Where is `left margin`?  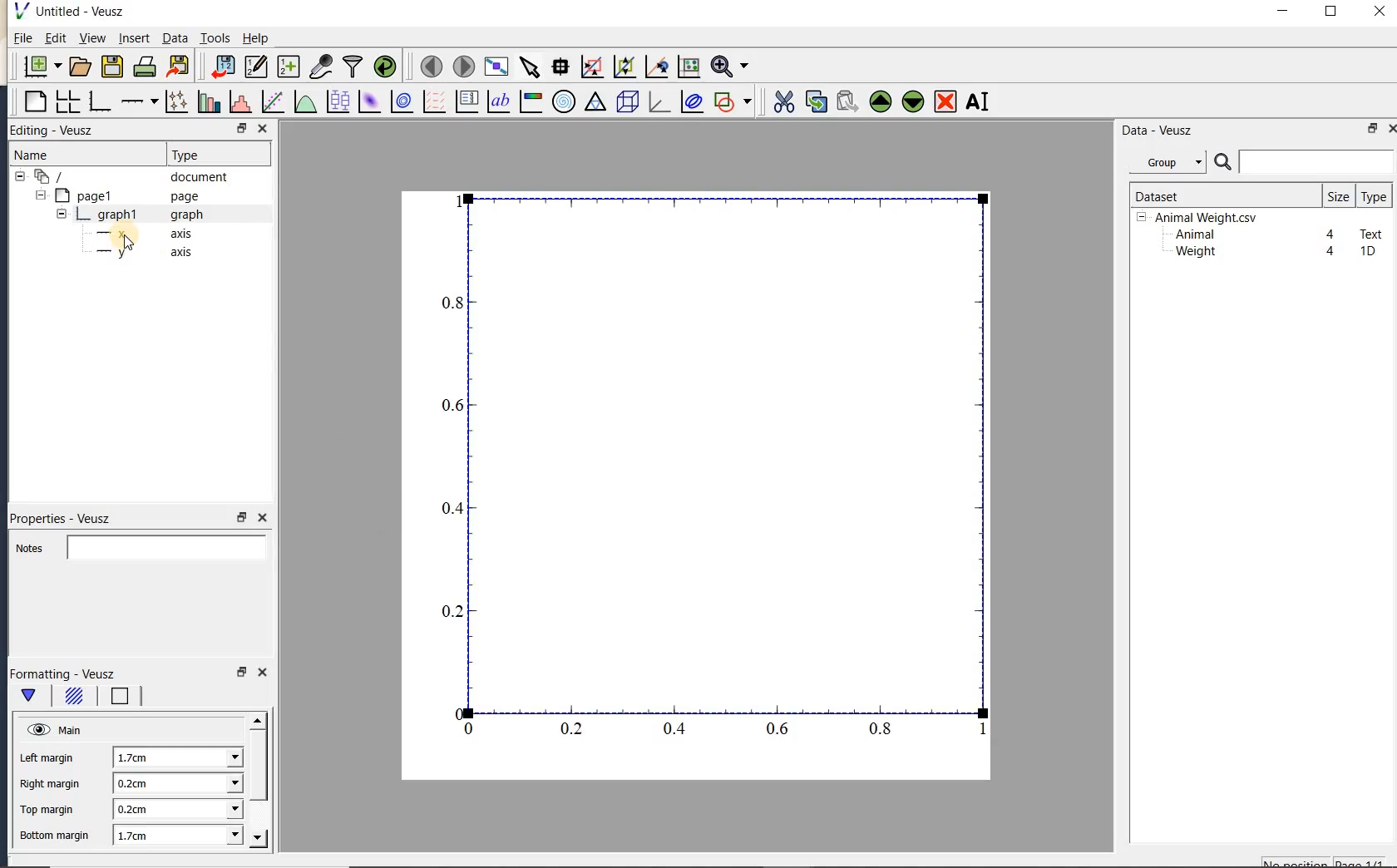 left margin is located at coordinates (48, 760).